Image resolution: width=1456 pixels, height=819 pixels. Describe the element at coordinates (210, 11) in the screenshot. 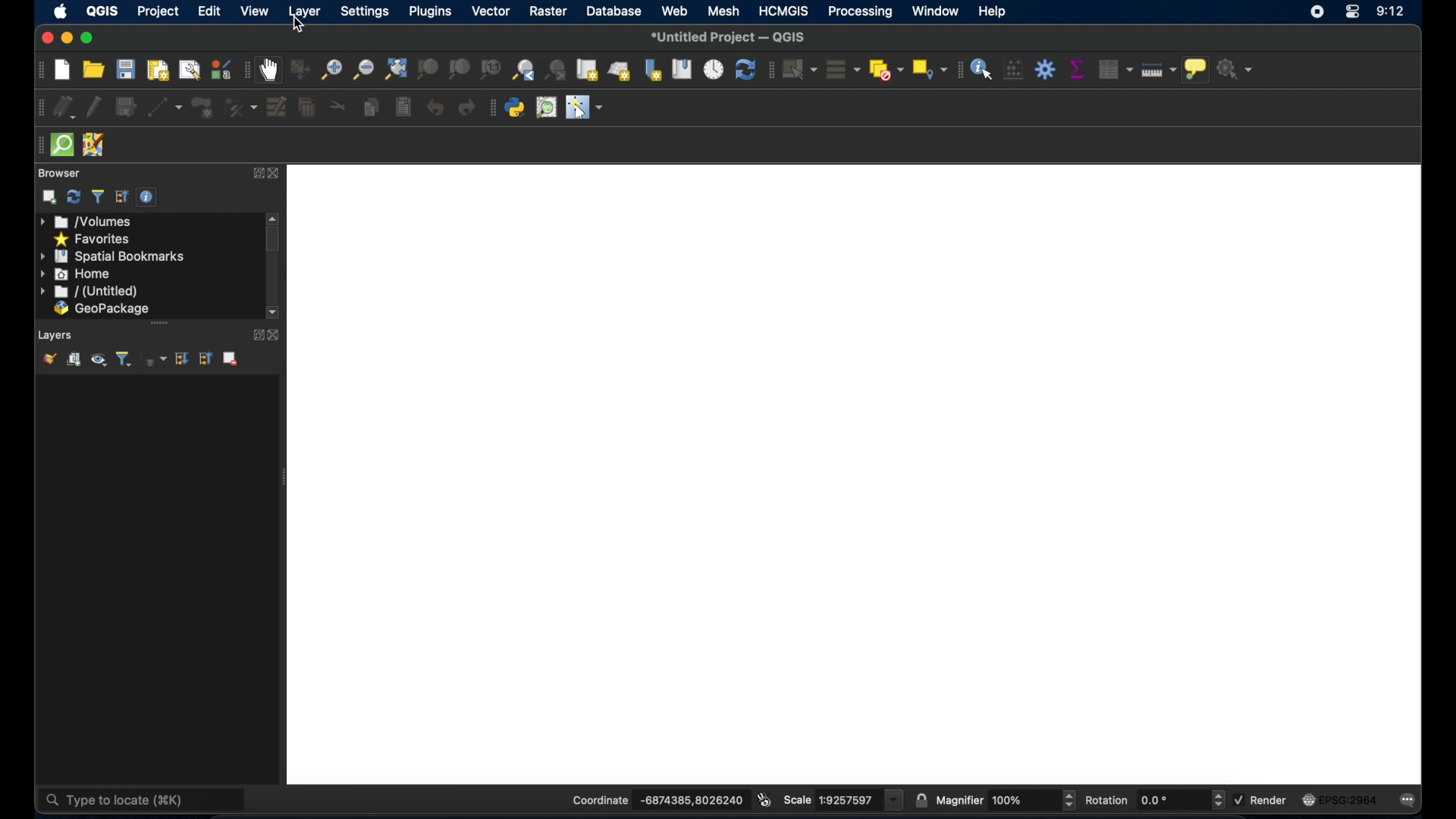

I see `edit` at that location.